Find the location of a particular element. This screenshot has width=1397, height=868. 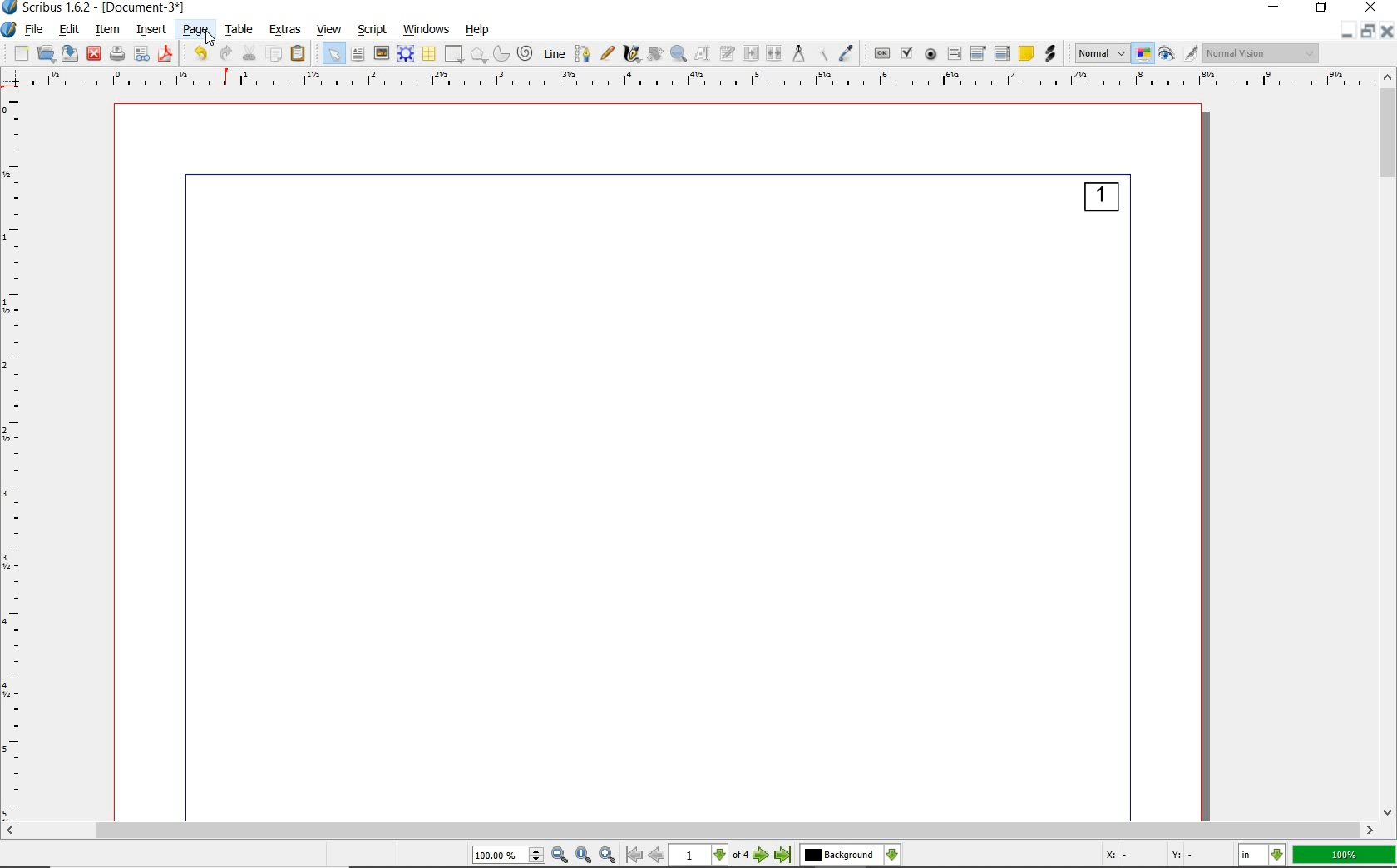

unlink text frames is located at coordinates (775, 53).